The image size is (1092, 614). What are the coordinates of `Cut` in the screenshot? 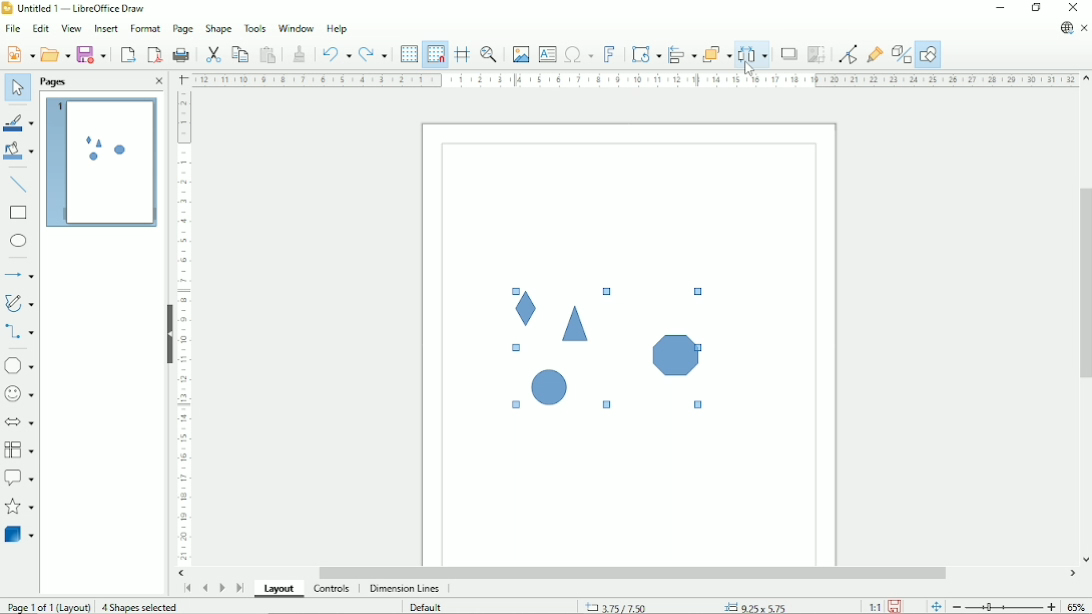 It's located at (214, 54).